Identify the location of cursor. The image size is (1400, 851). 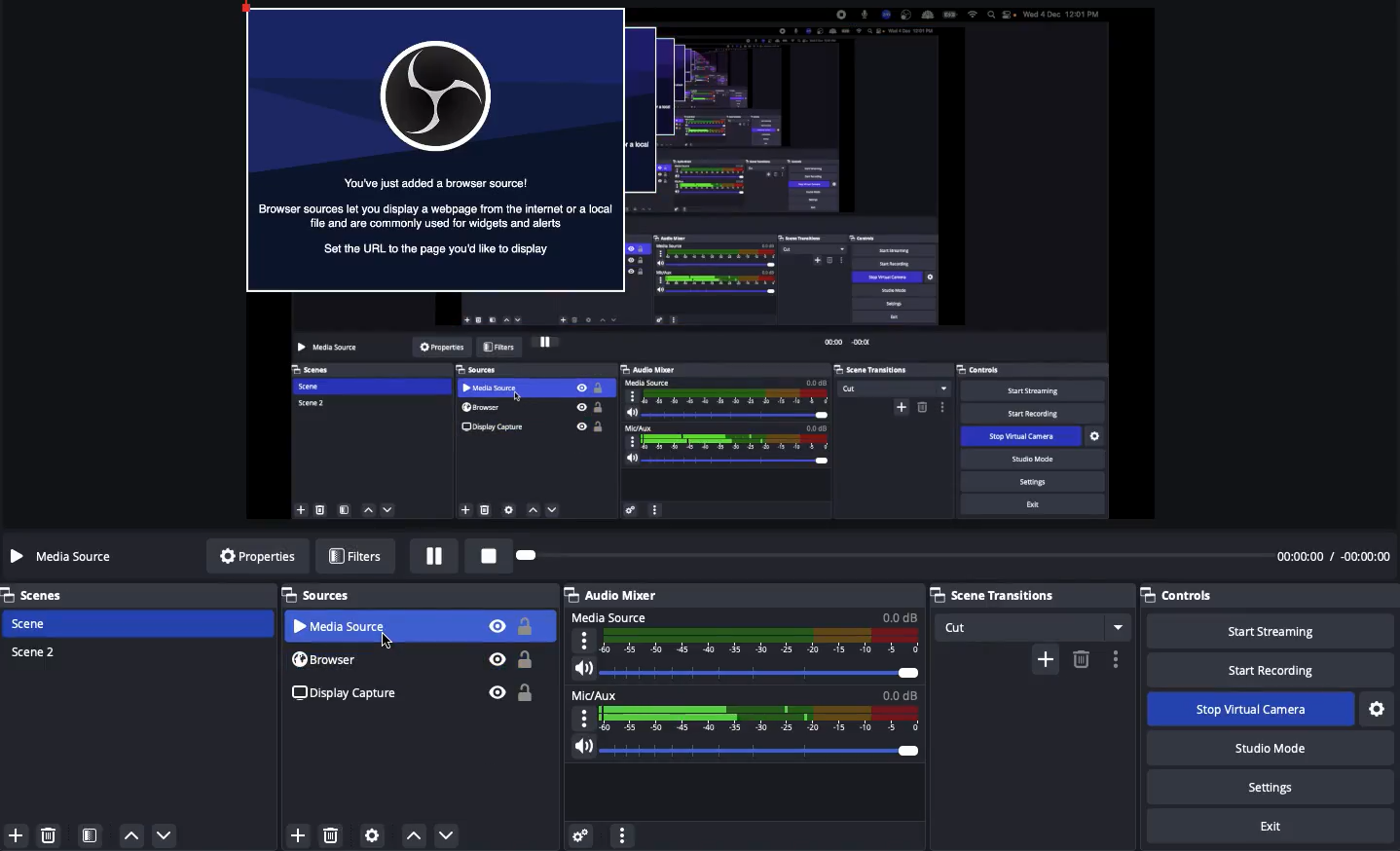
(393, 641).